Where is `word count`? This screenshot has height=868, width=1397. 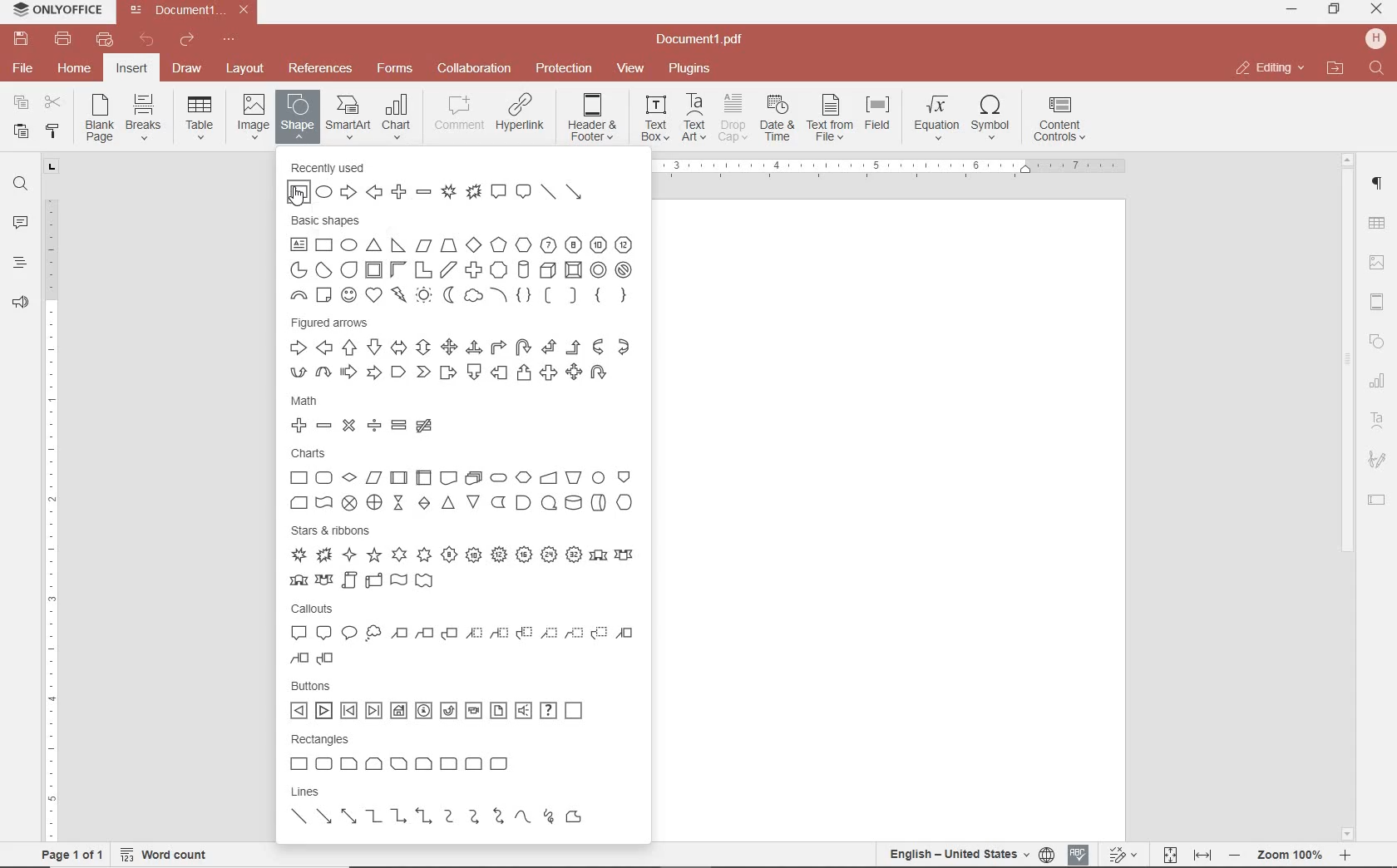
word count is located at coordinates (170, 855).